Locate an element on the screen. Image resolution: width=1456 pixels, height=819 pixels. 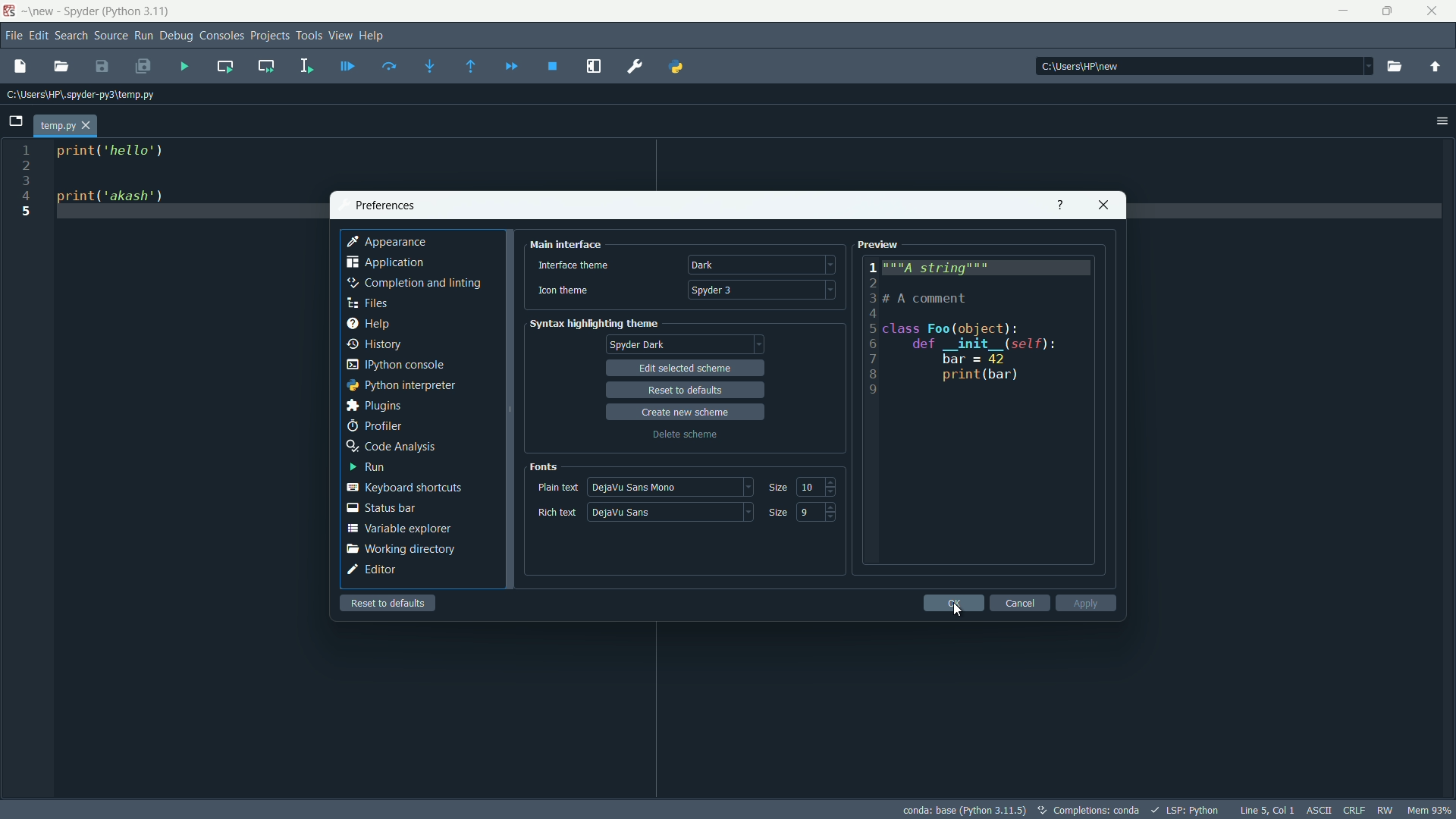
source menu is located at coordinates (111, 36).